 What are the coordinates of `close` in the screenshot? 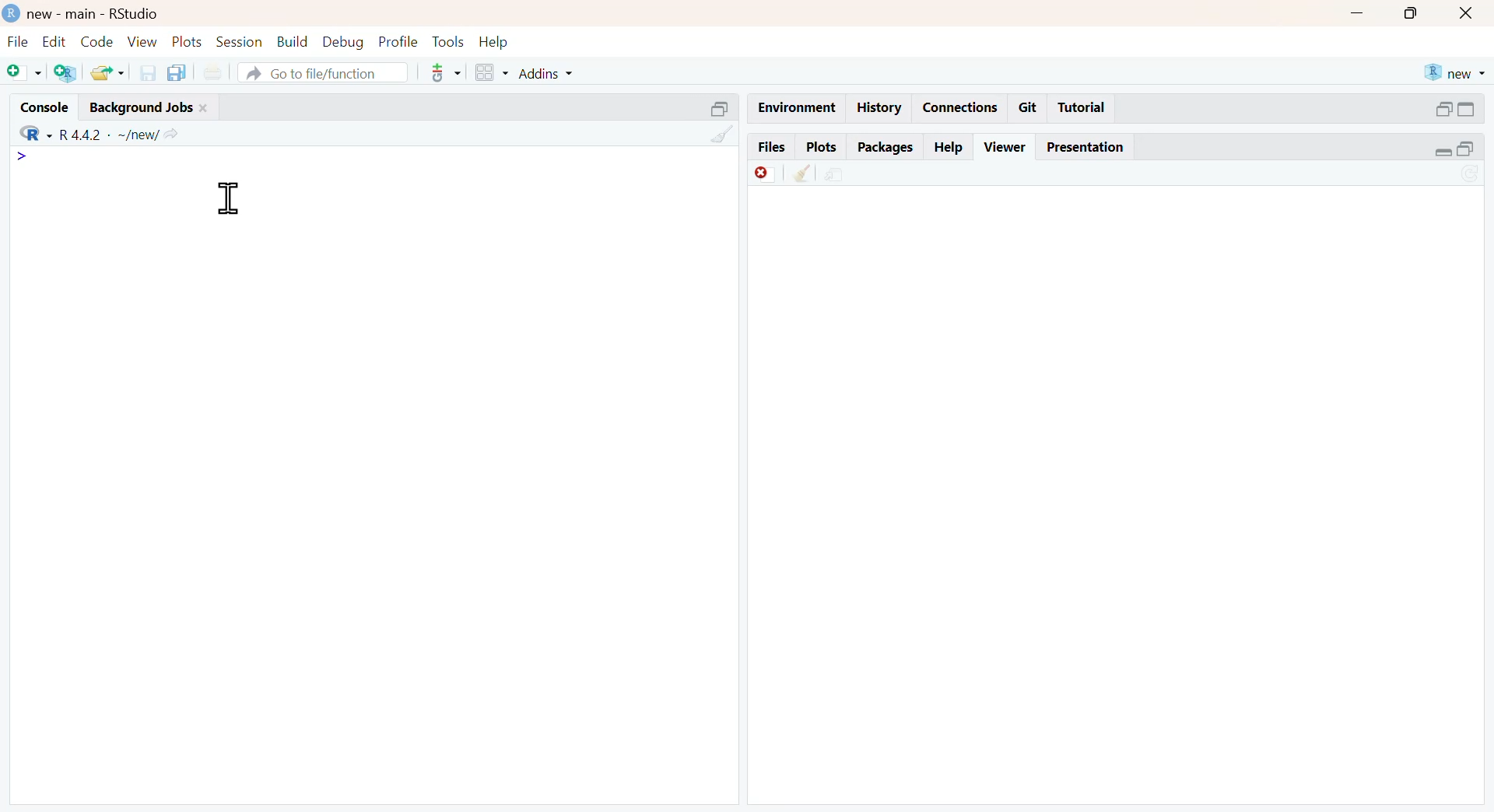 It's located at (1468, 12).